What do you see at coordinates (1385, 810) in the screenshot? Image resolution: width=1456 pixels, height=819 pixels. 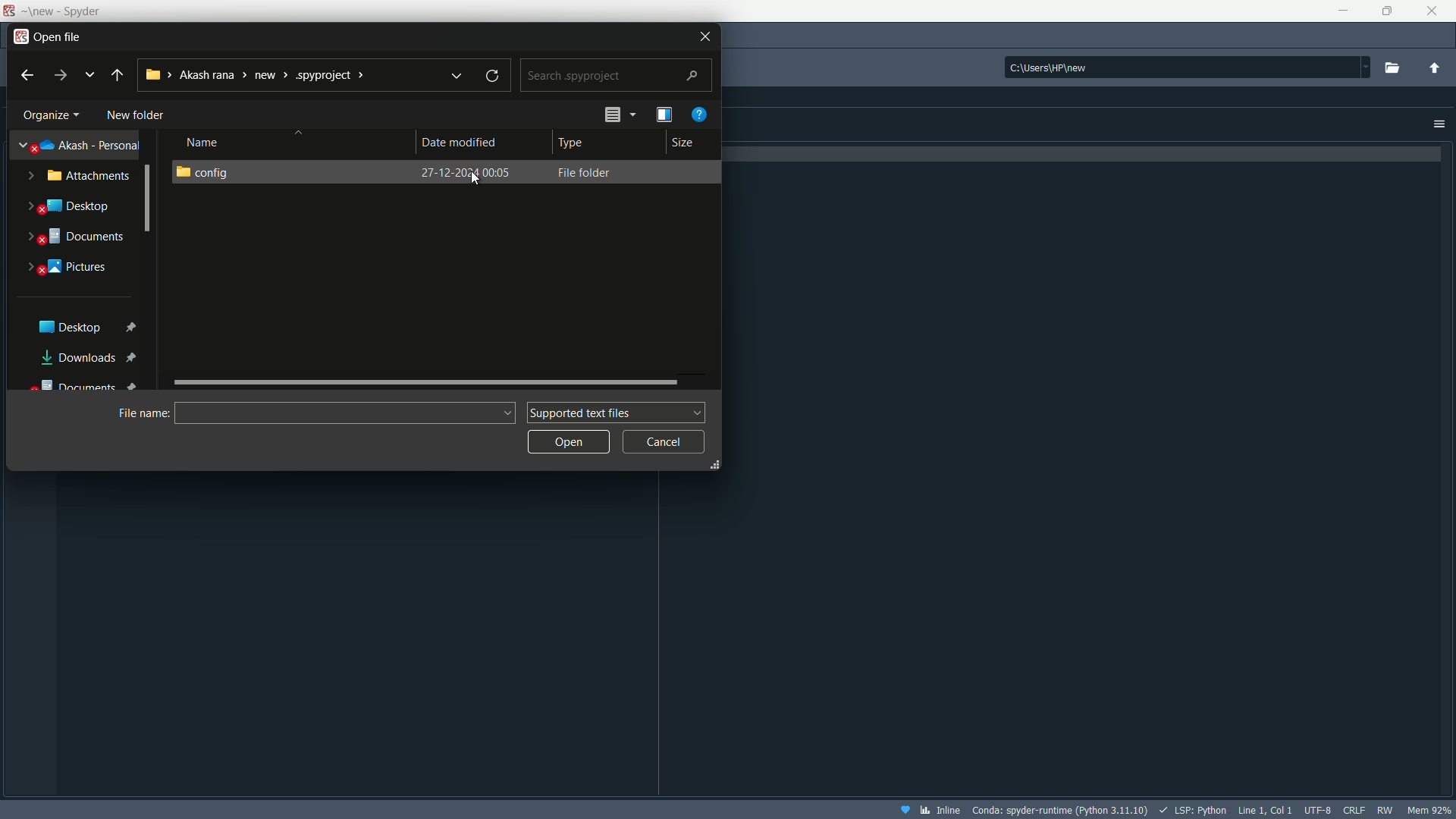 I see `rw` at bounding box center [1385, 810].